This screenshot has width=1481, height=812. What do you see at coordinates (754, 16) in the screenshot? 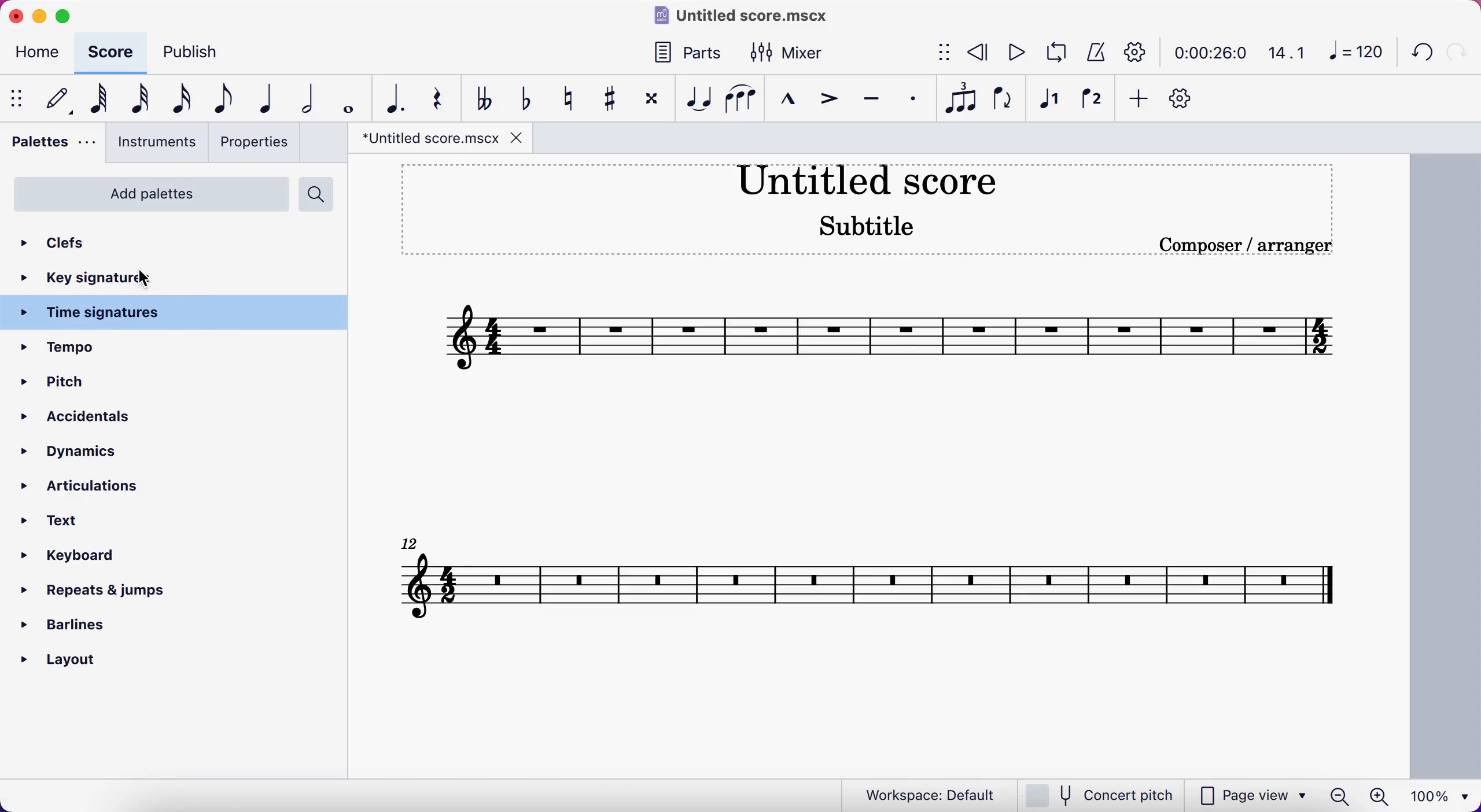
I see `title` at bounding box center [754, 16].